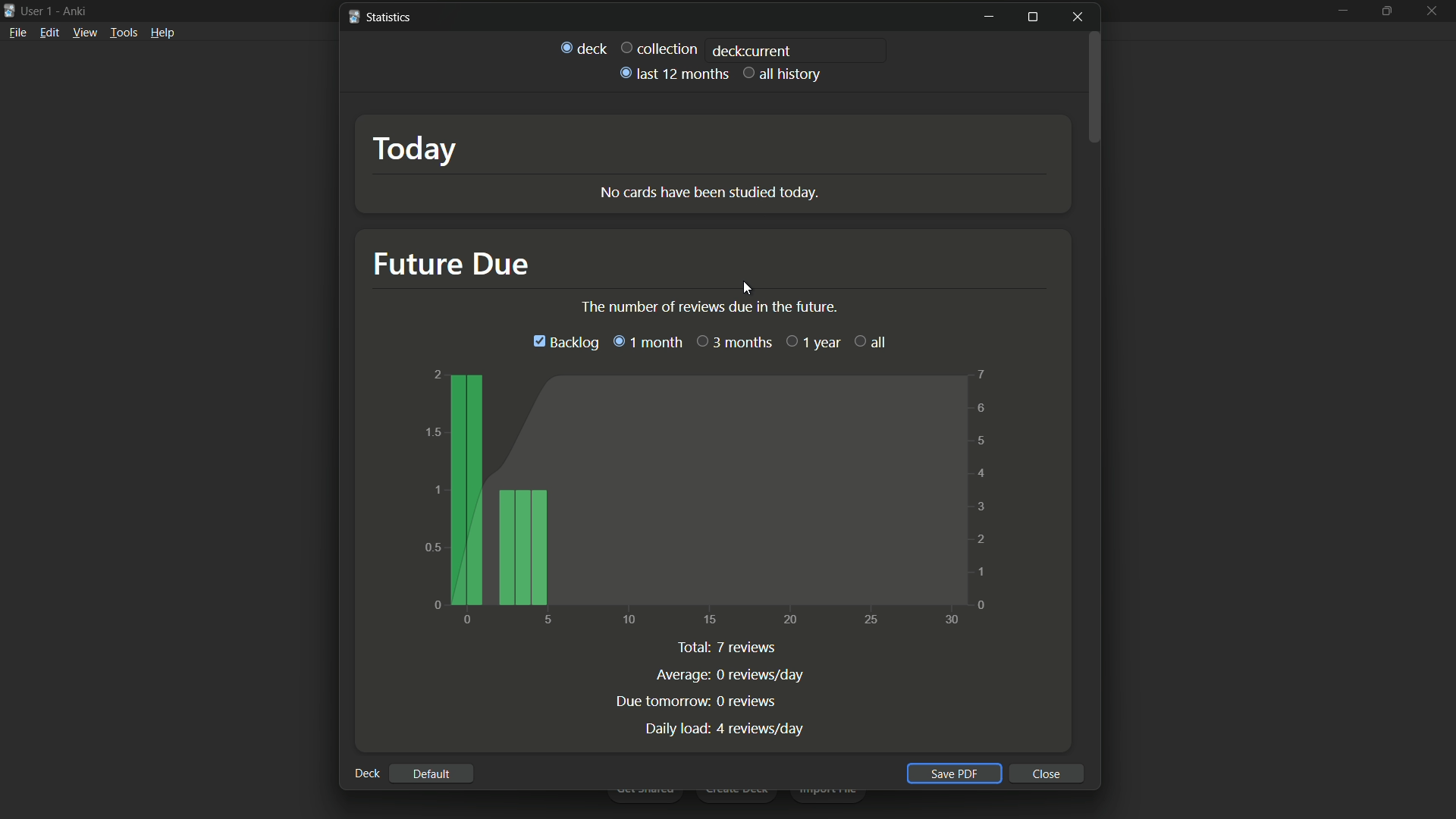  Describe the element at coordinates (783, 75) in the screenshot. I see `all history` at that location.